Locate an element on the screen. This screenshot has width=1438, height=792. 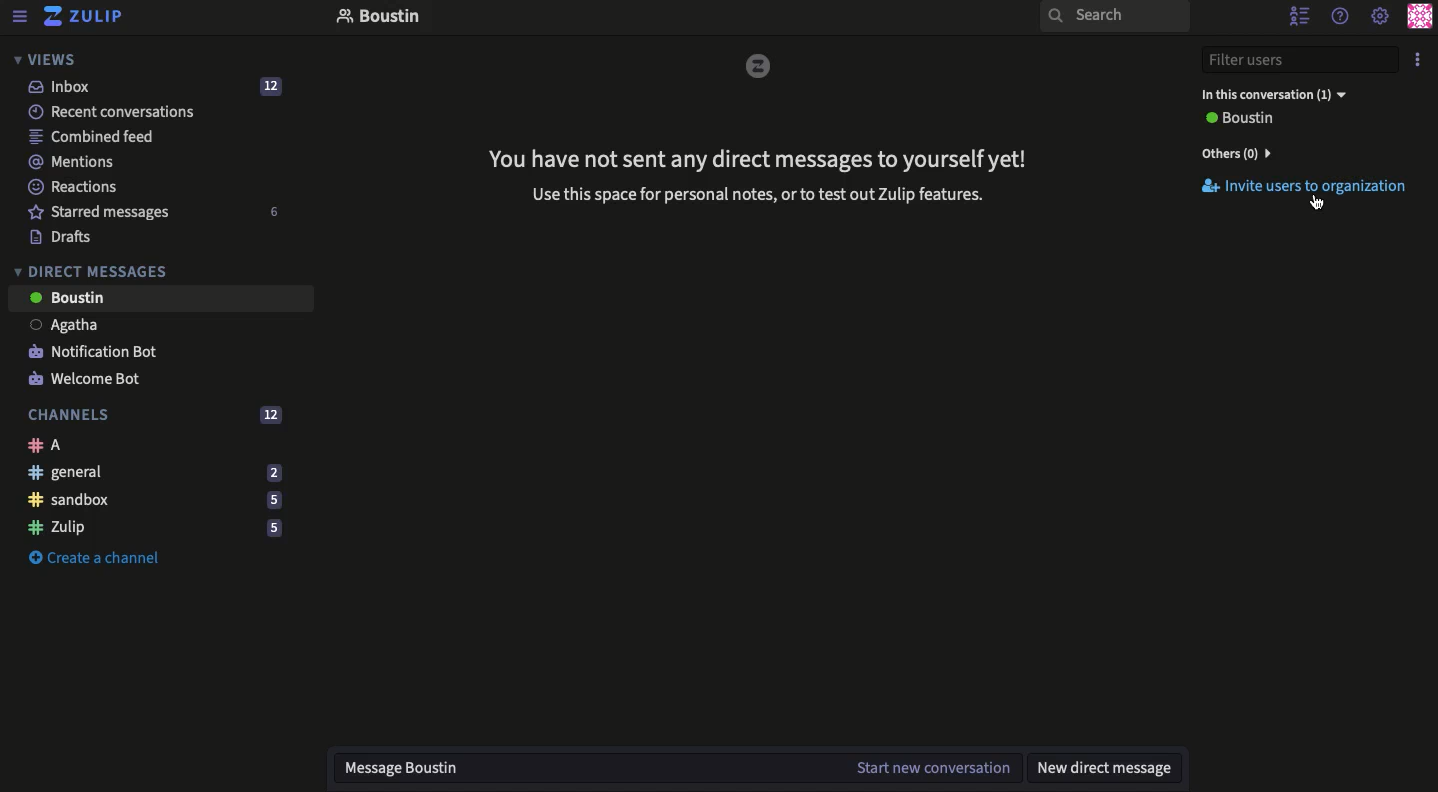
Boustin is located at coordinates (379, 18).